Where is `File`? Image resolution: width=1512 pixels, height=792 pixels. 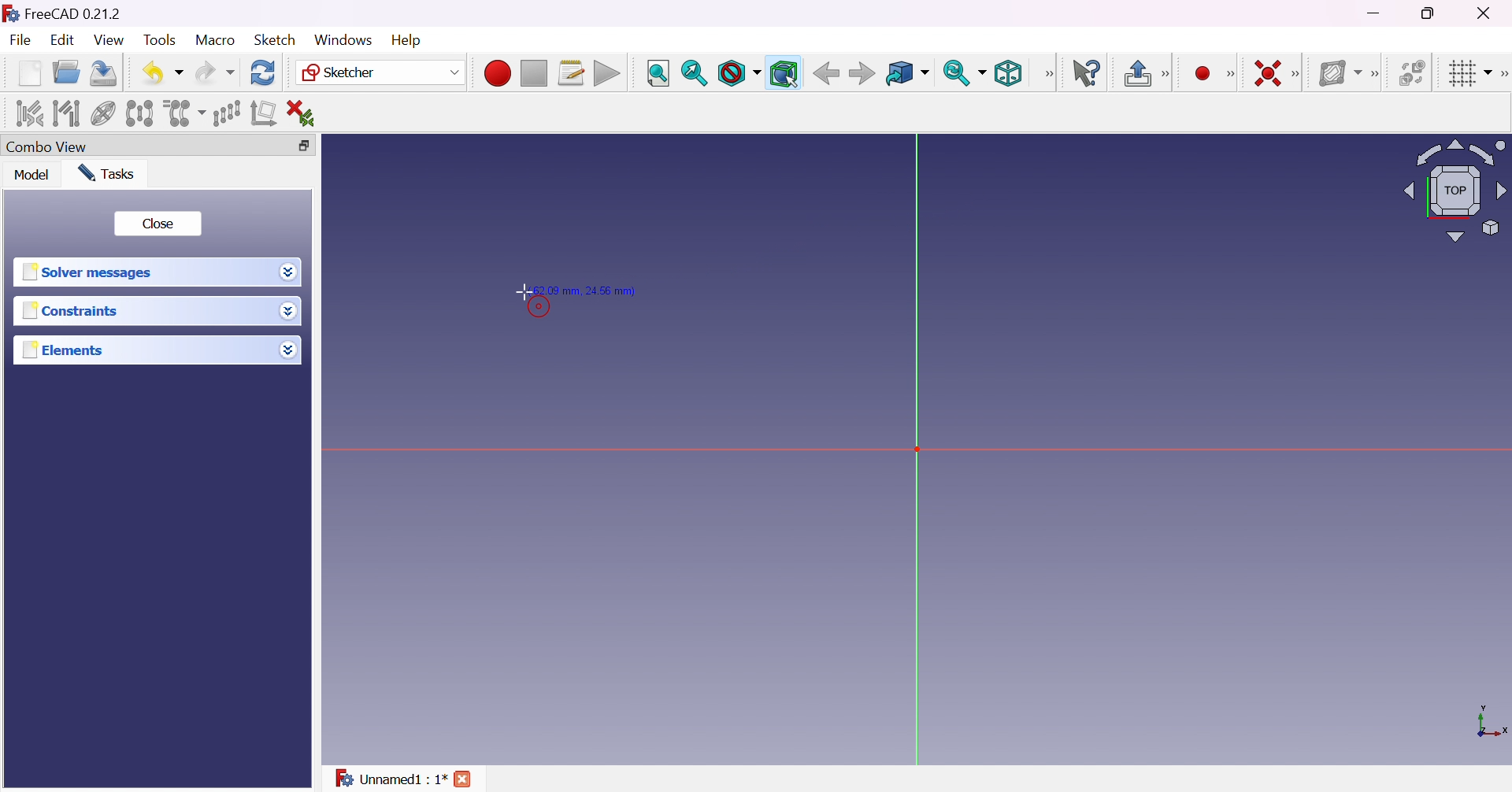 File is located at coordinates (22, 42).